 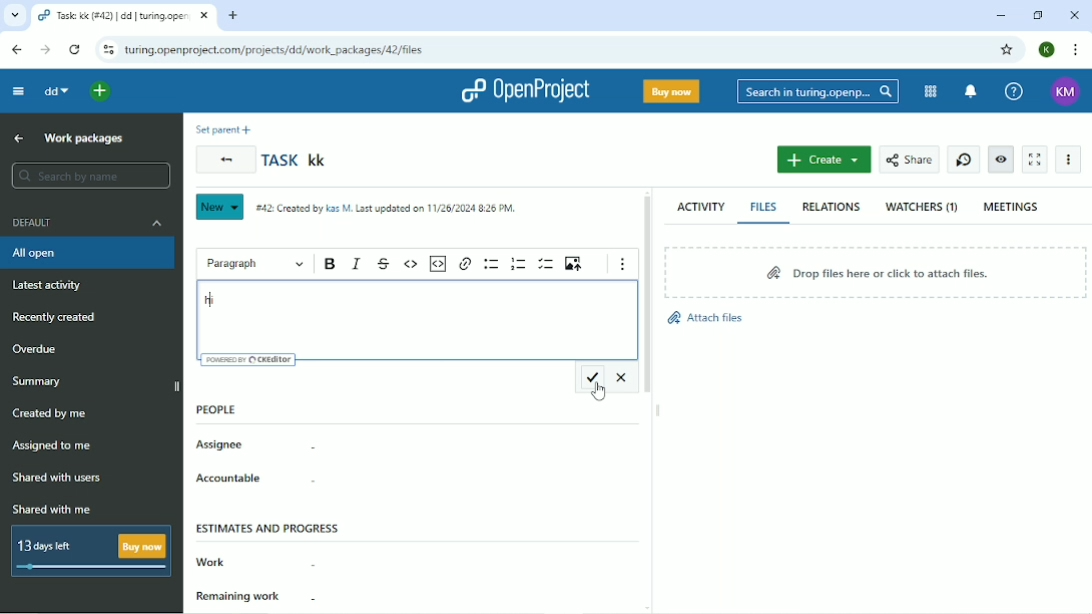 What do you see at coordinates (930, 91) in the screenshot?
I see `Modules` at bounding box center [930, 91].